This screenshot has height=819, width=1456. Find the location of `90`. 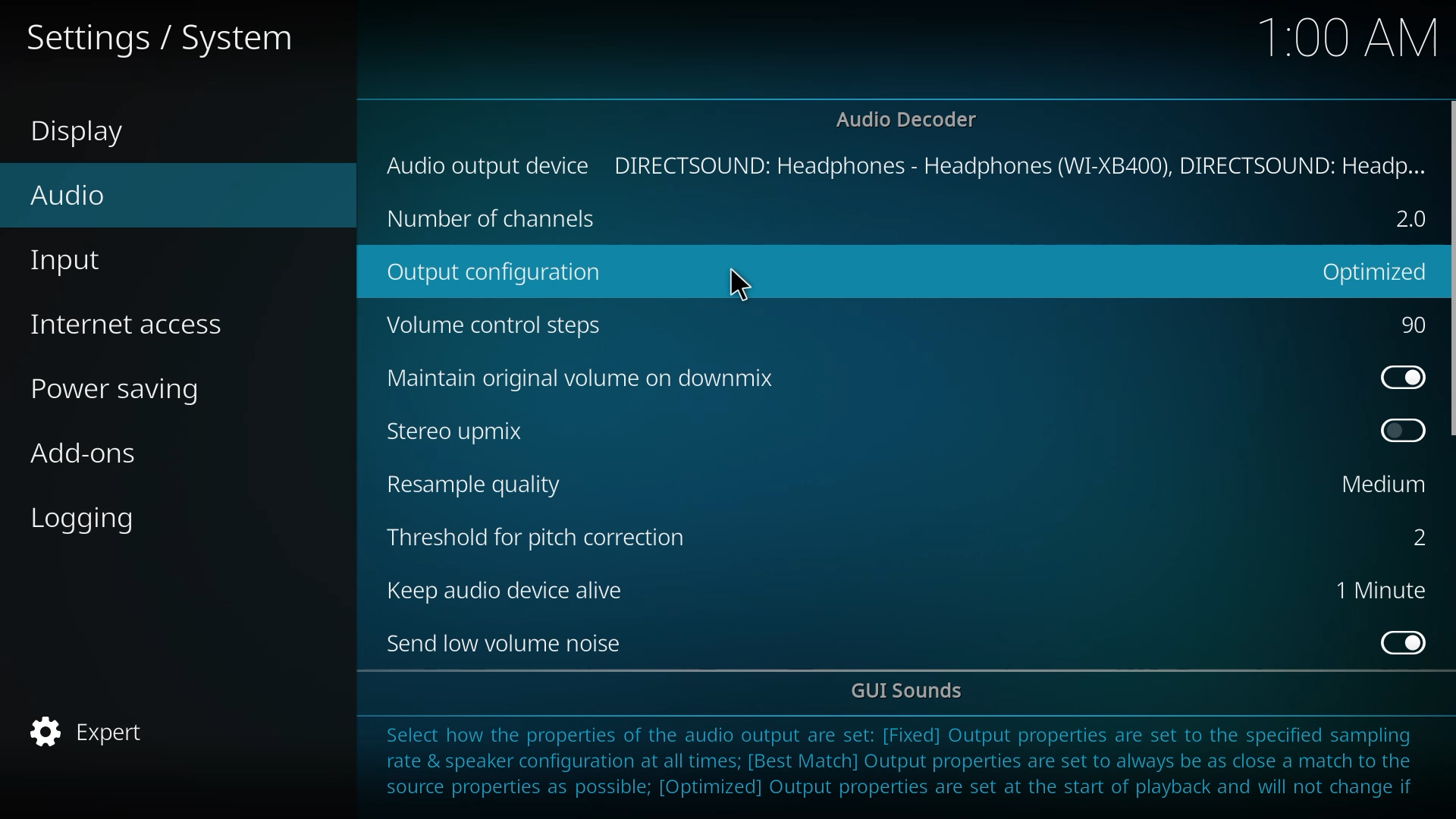

90 is located at coordinates (1413, 324).